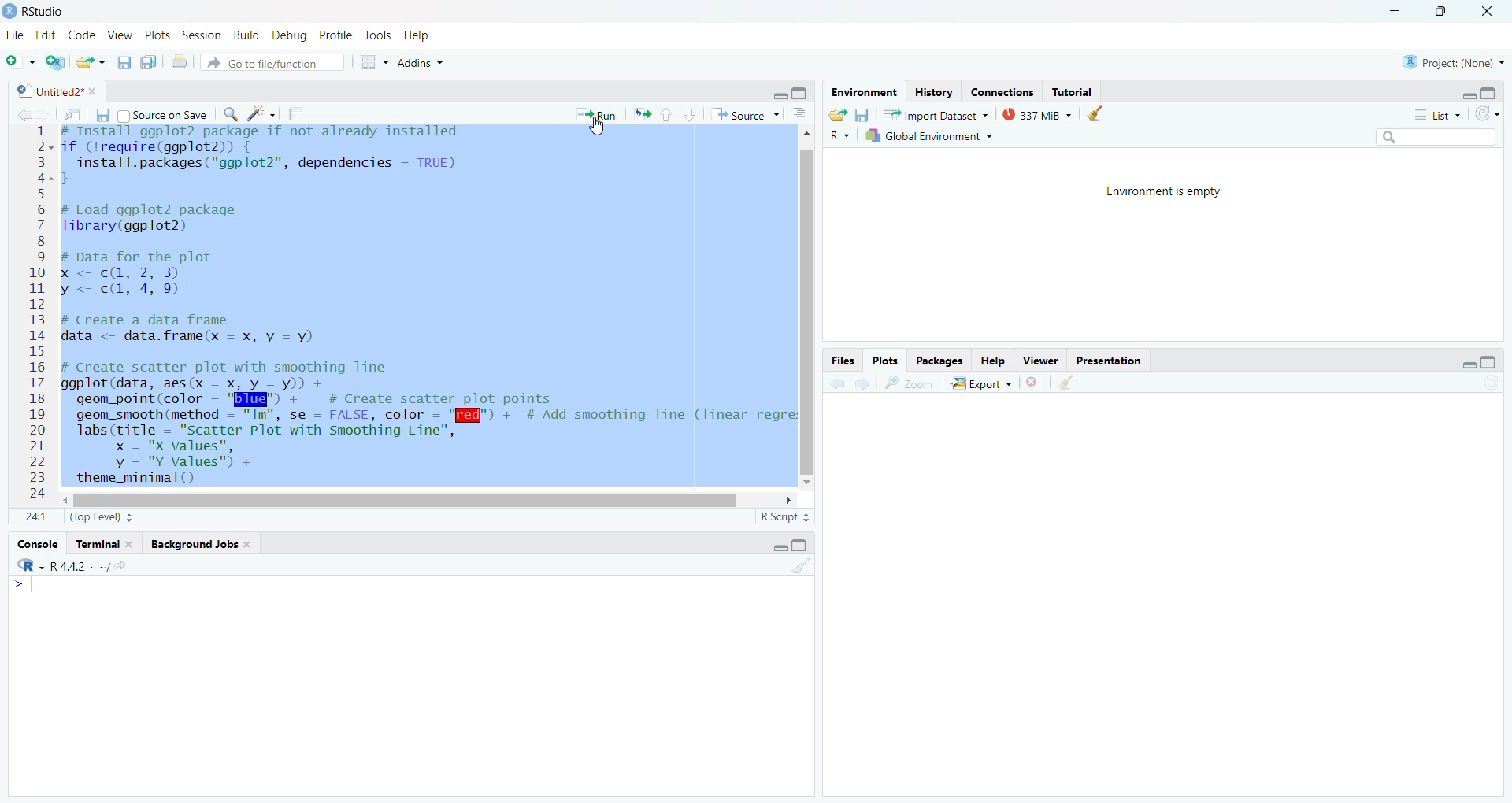 The image size is (1512, 803). I want to click on save current document, so click(124, 63).